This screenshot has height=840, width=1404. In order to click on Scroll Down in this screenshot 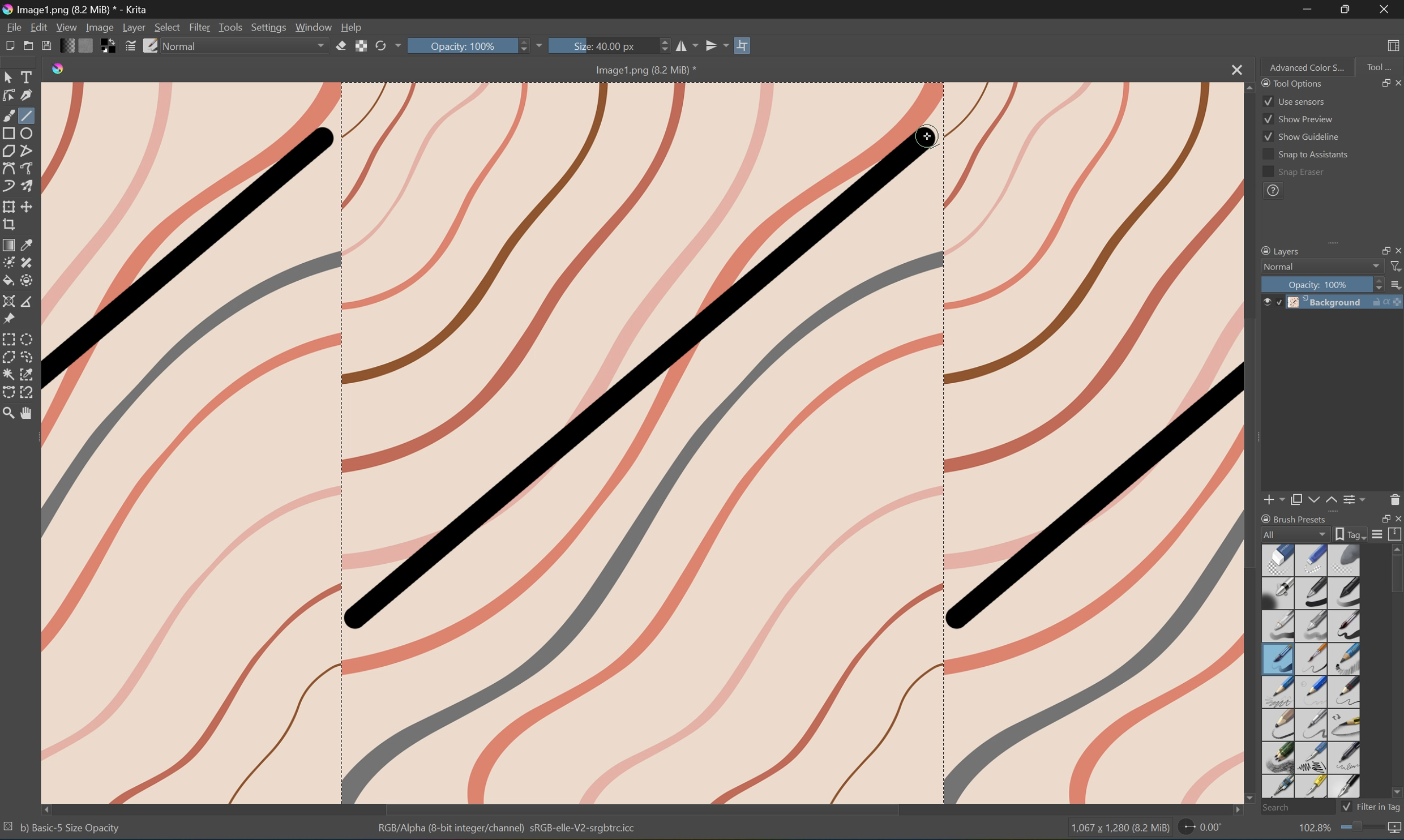, I will do `click(1395, 792)`.